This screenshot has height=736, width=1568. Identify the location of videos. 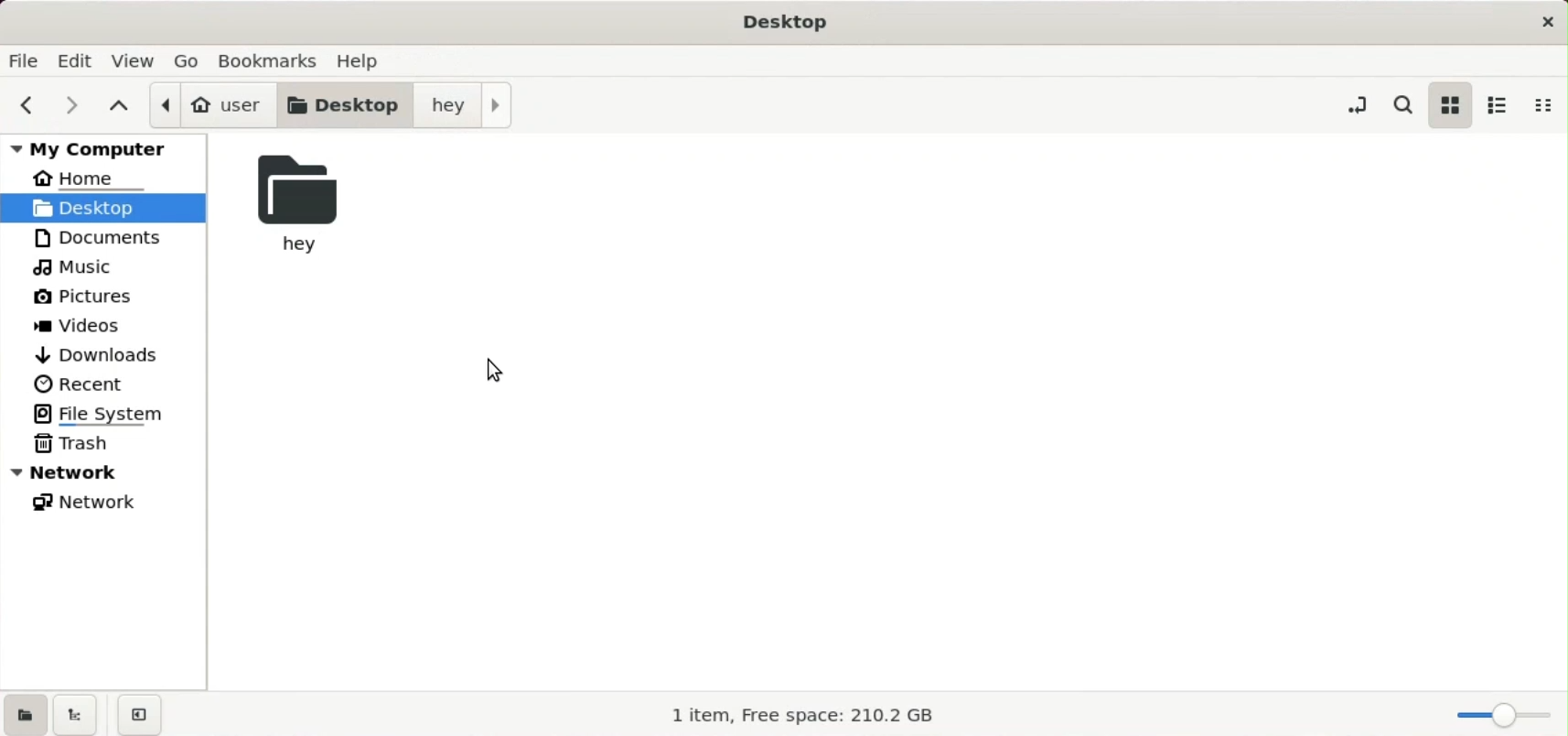
(83, 324).